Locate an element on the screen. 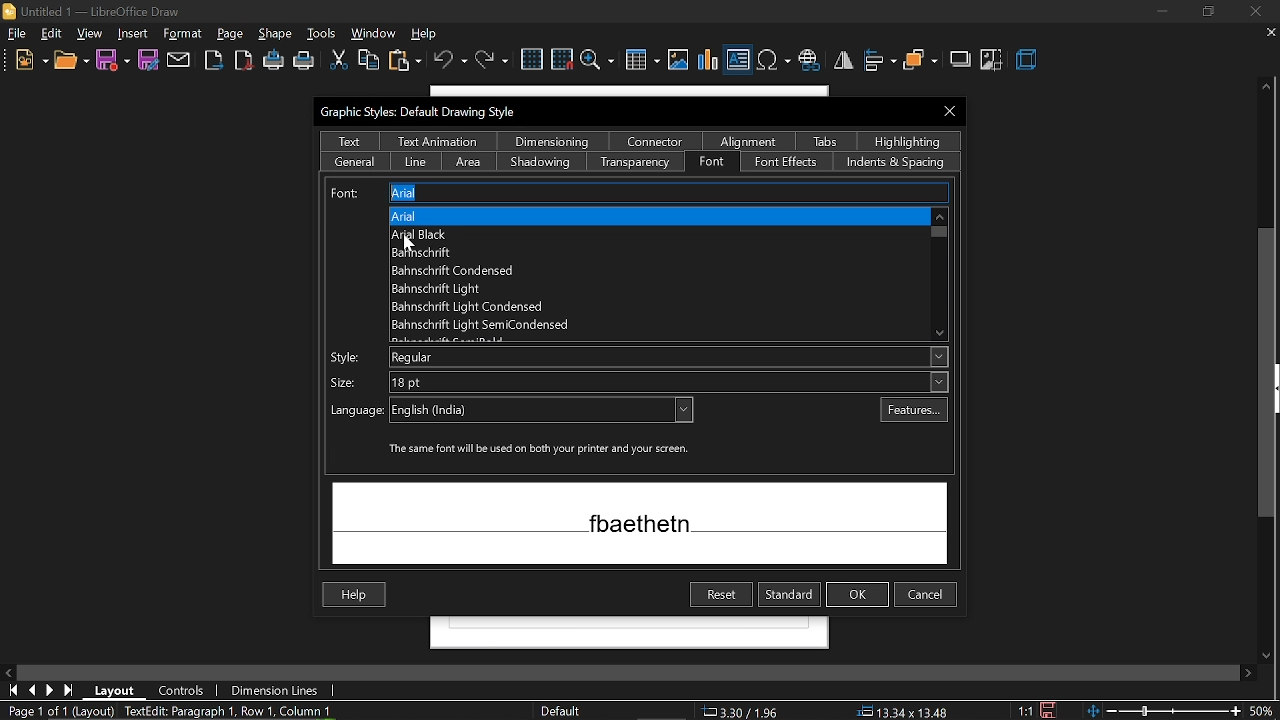 The height and width of the screenshot is (720, 1280). restore down is located at coordinates (1211, 11).